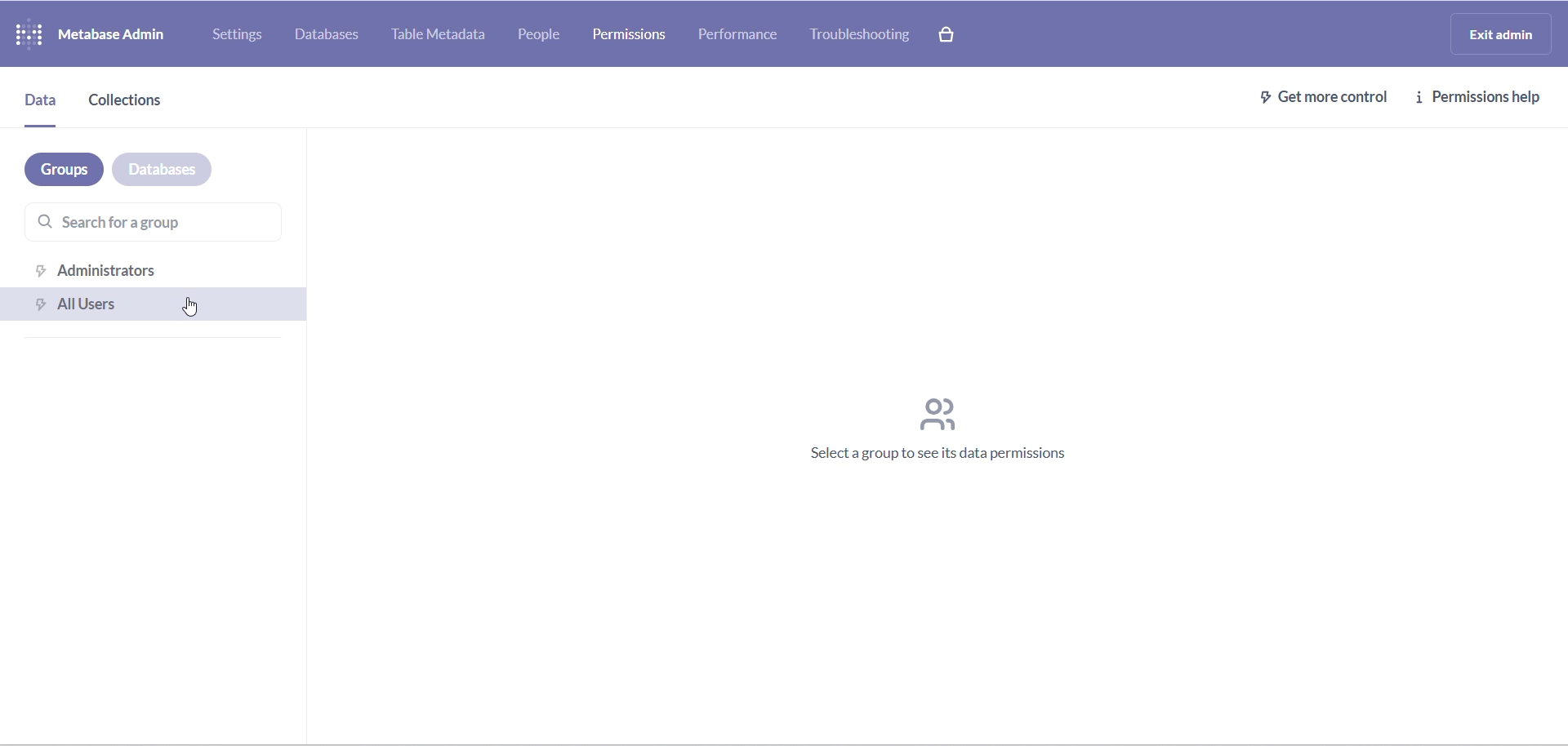 This screenshot has height=746, width=1568. Describe the element at coordinates (161, 304) in the screenshot. I see `all users` at that location.